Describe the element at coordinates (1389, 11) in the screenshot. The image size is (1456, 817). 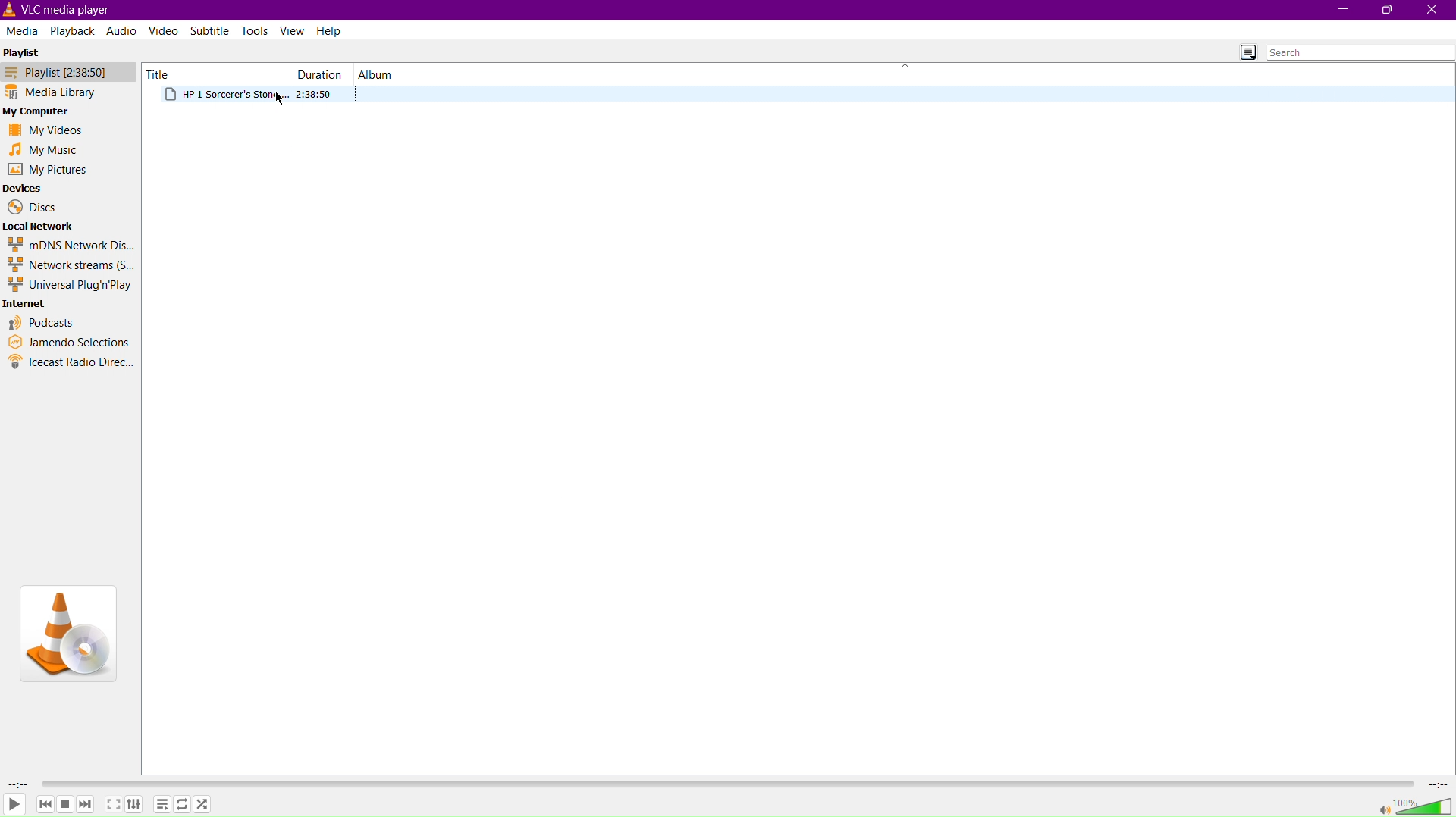
I see `Maximize` at that location.